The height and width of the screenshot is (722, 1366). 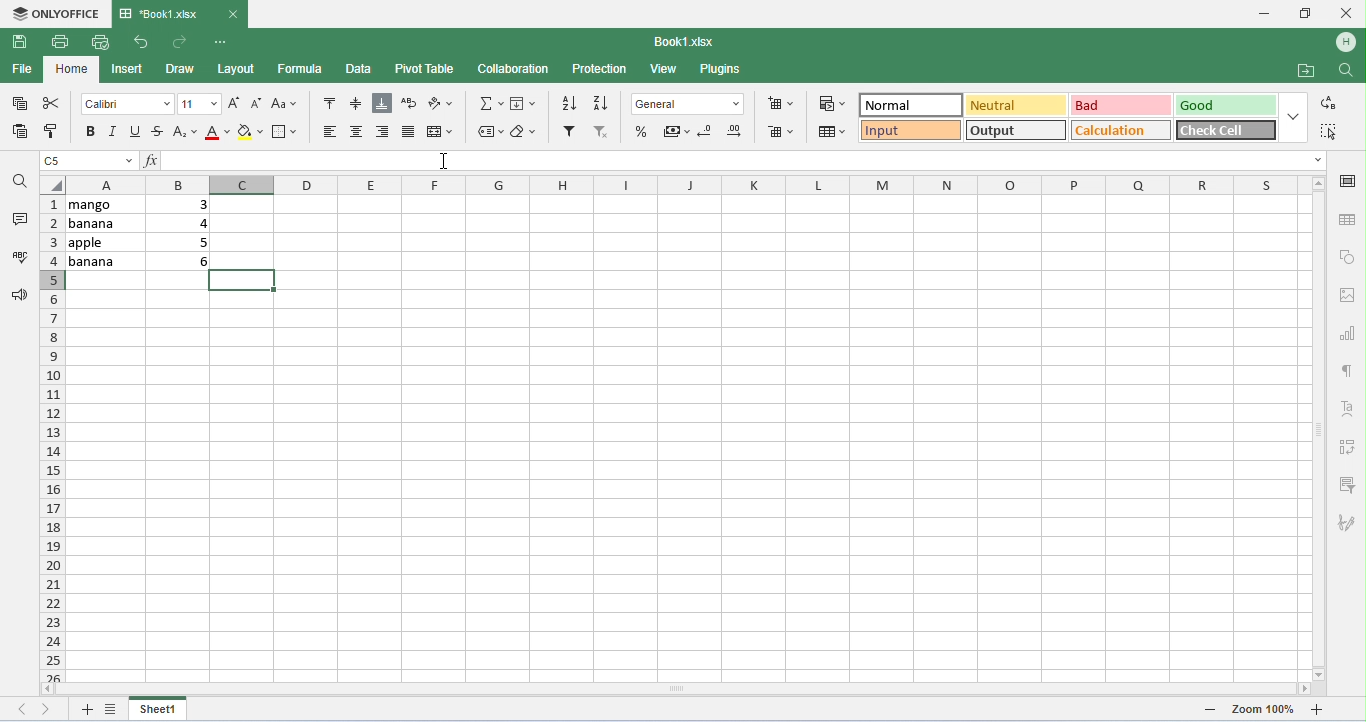 I want to click on , so click(x=20, y=69).